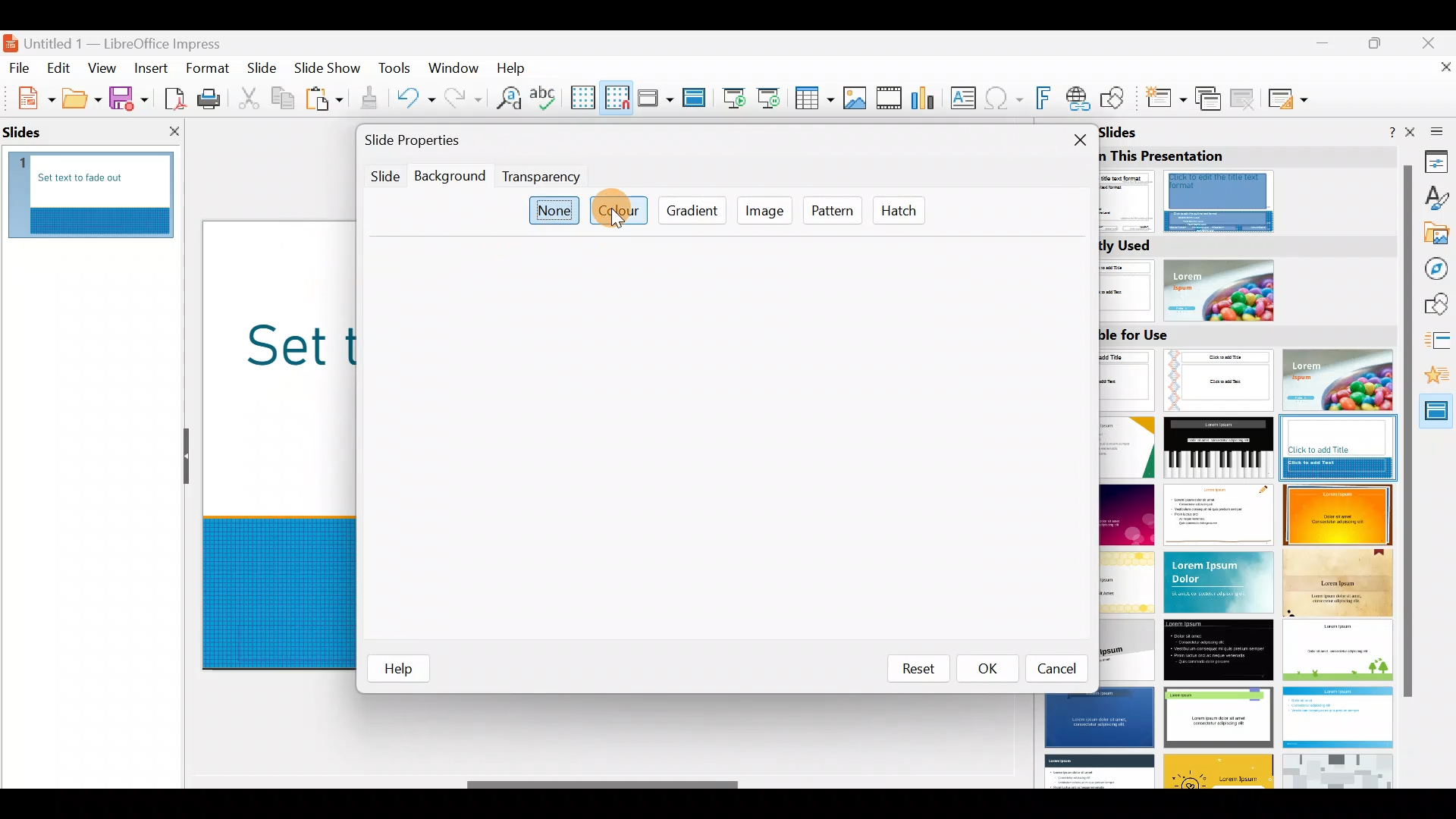  What do you see at coordinates (20, 67) in the screenshot?
I see `File` at bounding box center [20, 67].